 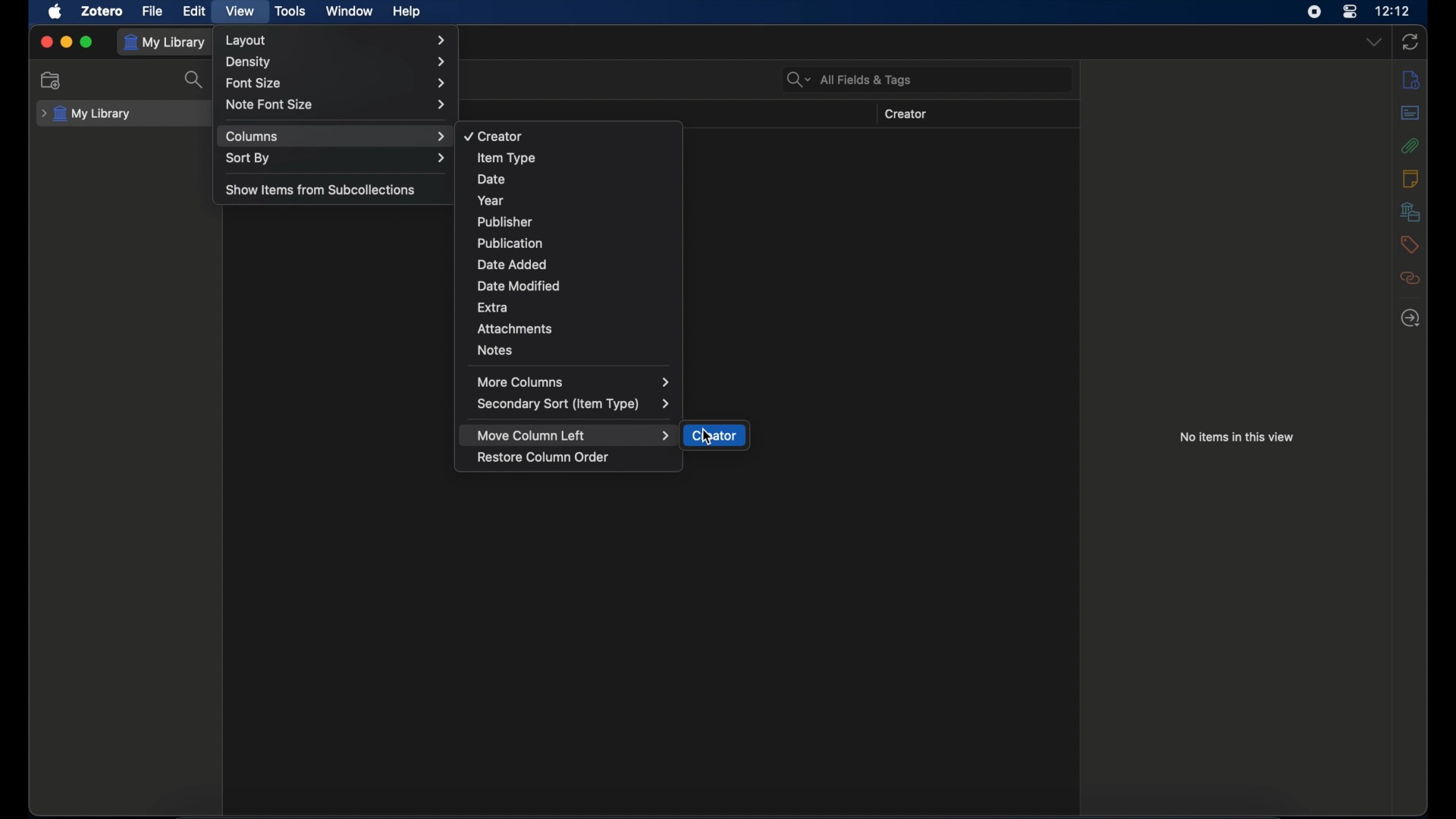 What do you see at coordinates (406, 11) in the screenshot?
I see `help` at bounding box center [406, 11].